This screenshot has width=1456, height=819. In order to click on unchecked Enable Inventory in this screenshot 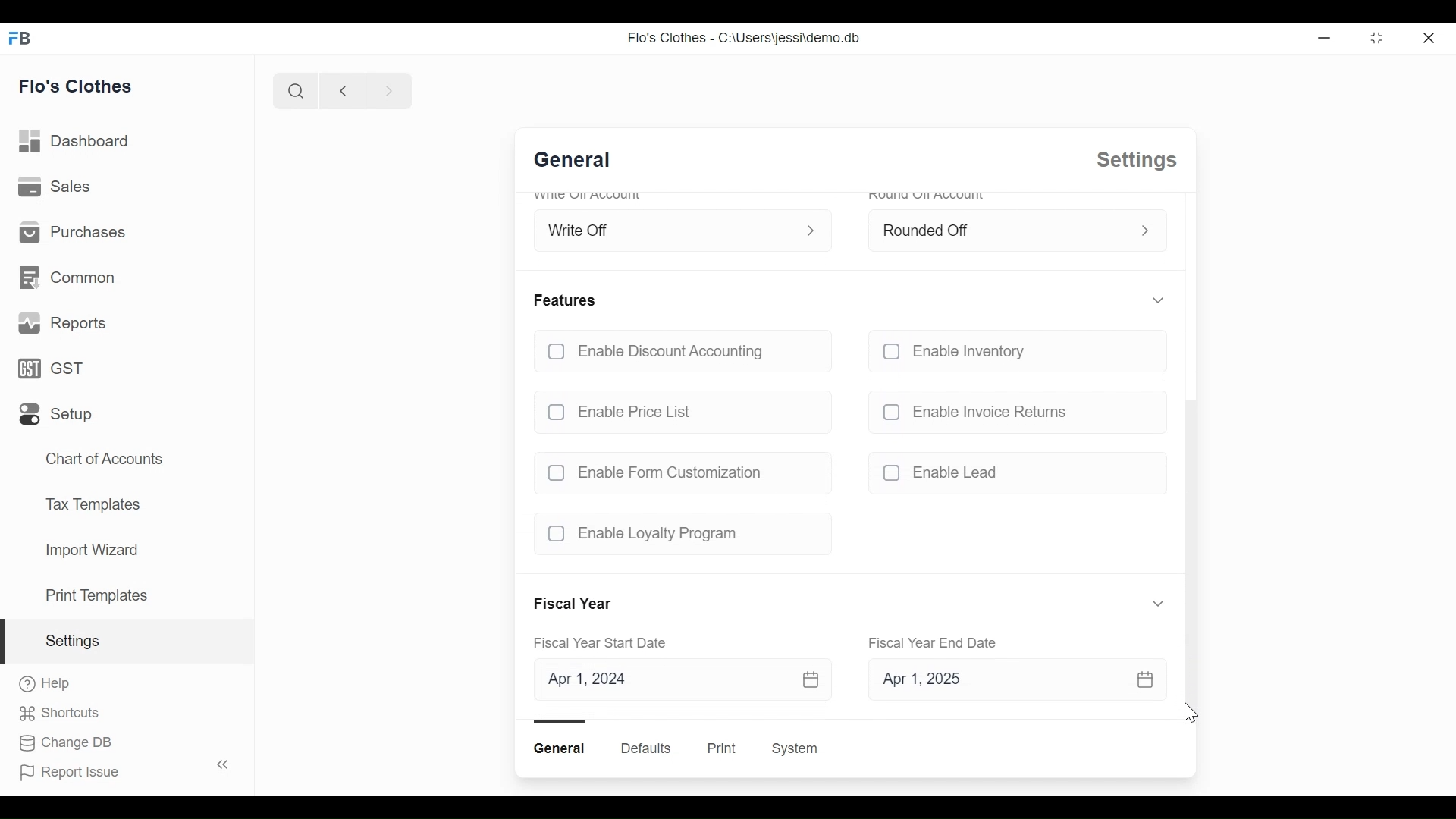, I will do `click(1012, 354)`.